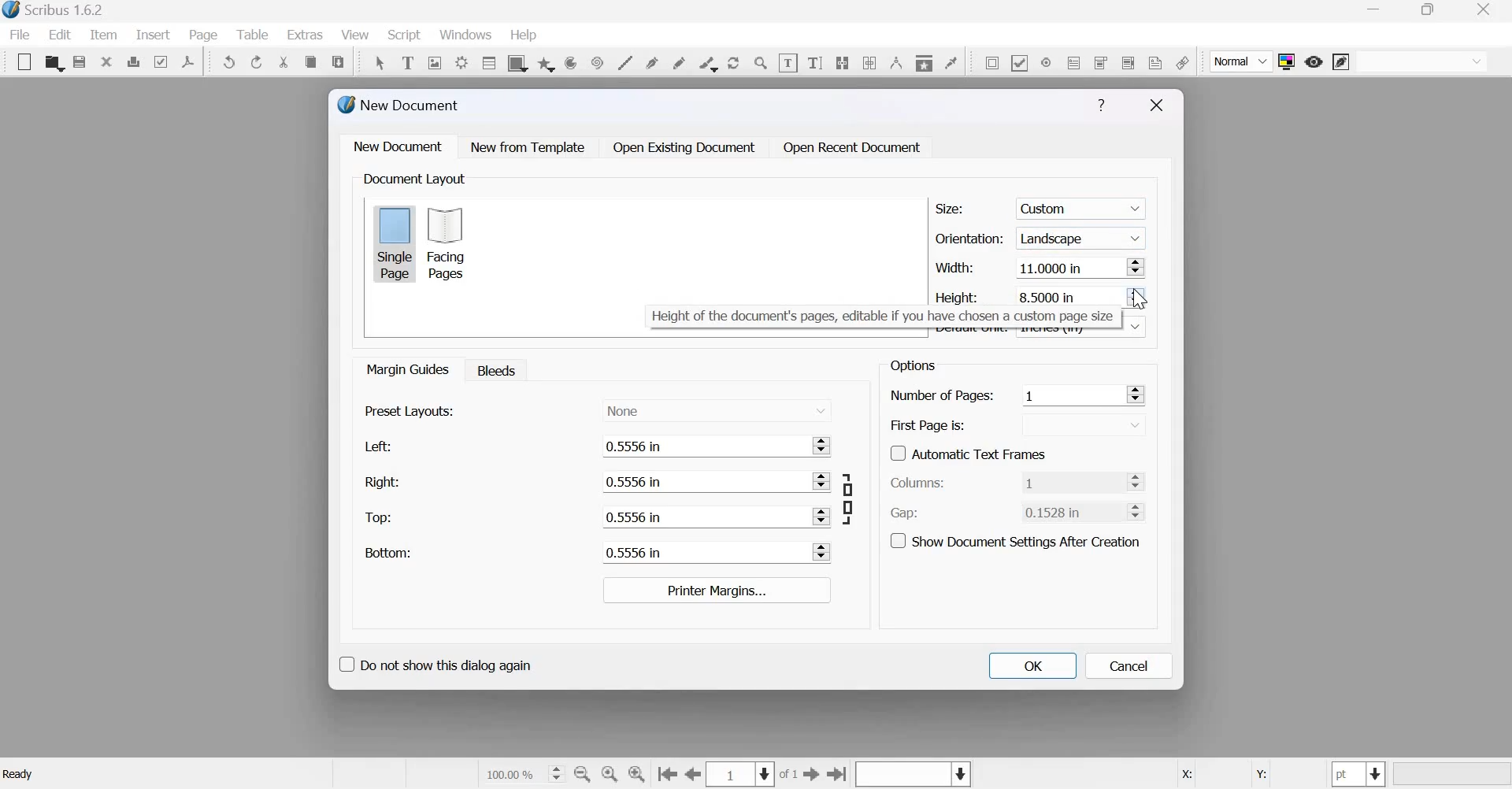 Image resolution: width=1512 pixels, height=789 pixels. Describe the element at coordinates (434, 662) in the screenshot. I see `Do not show this dialog again` at that location.